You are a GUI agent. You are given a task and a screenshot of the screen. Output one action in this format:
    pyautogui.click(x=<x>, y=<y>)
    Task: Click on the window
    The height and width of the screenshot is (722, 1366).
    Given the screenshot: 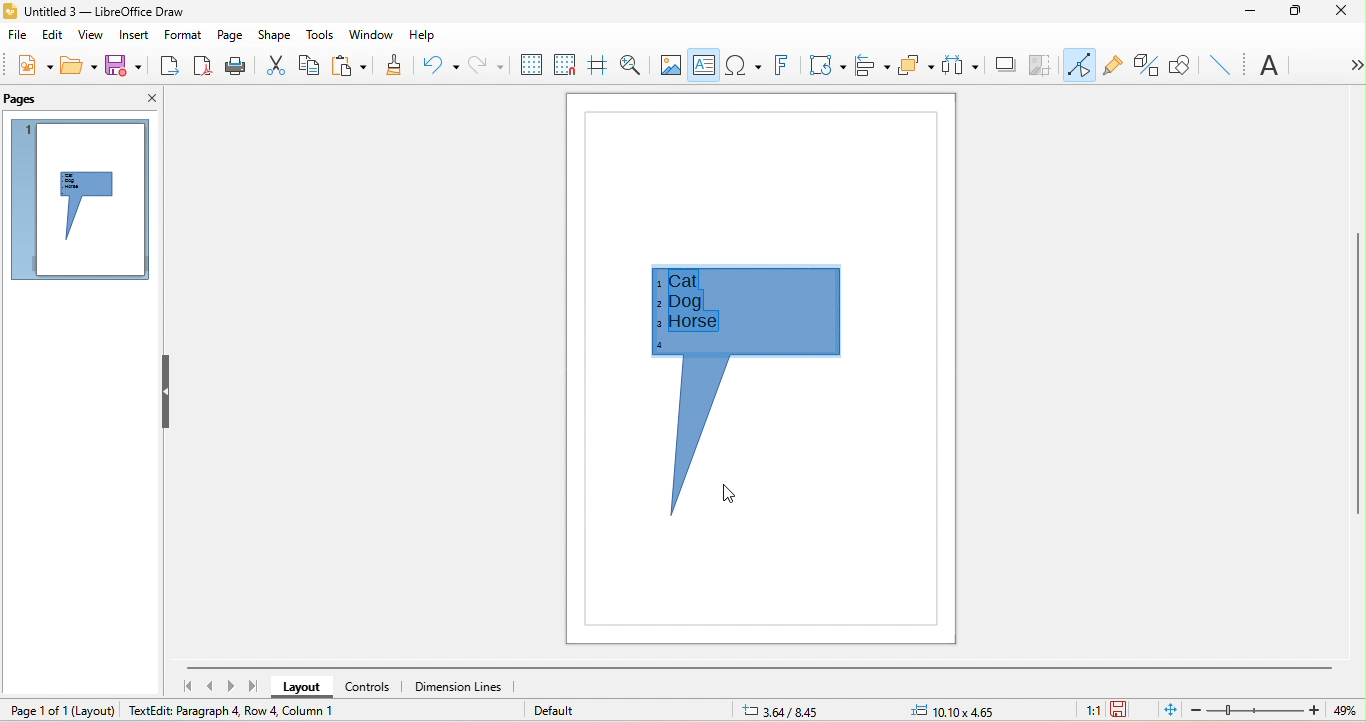 What is the action you would take?
    pyautogui.click(x=375, y=34)
    